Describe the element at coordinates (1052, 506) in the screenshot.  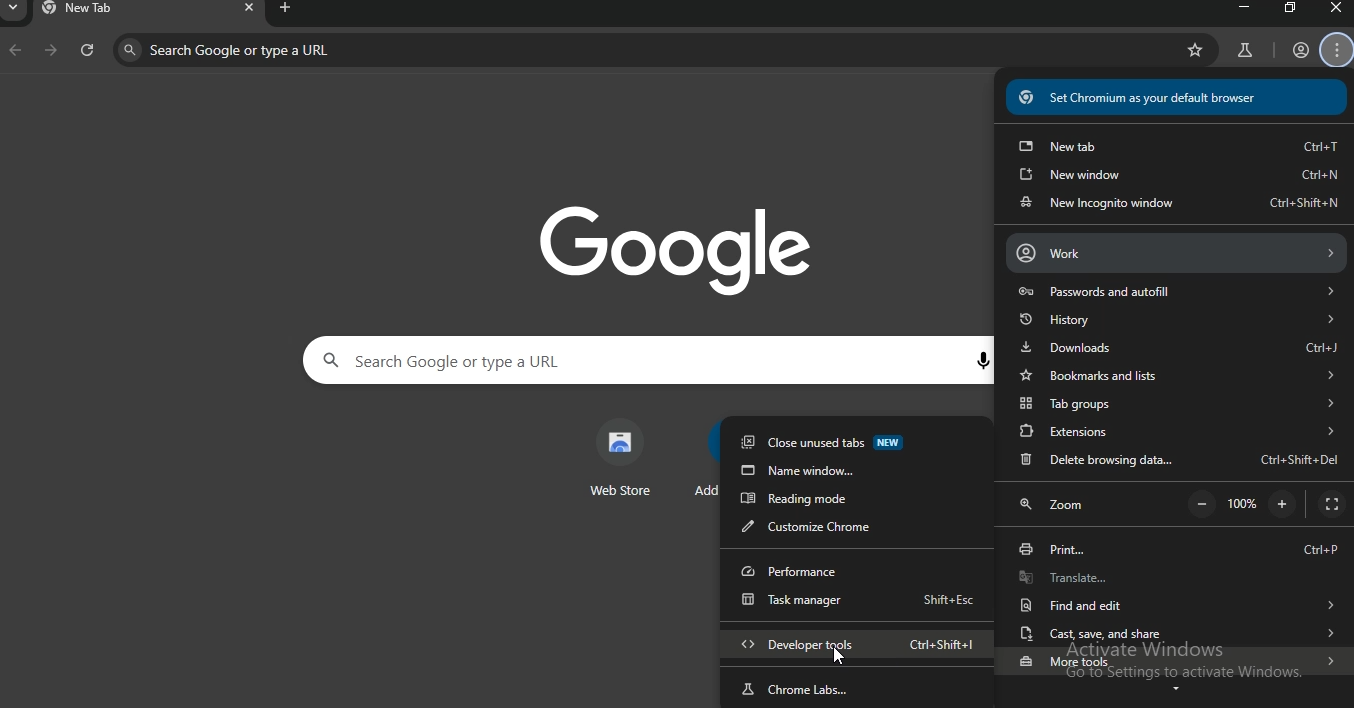
I see `zoom` at that location.